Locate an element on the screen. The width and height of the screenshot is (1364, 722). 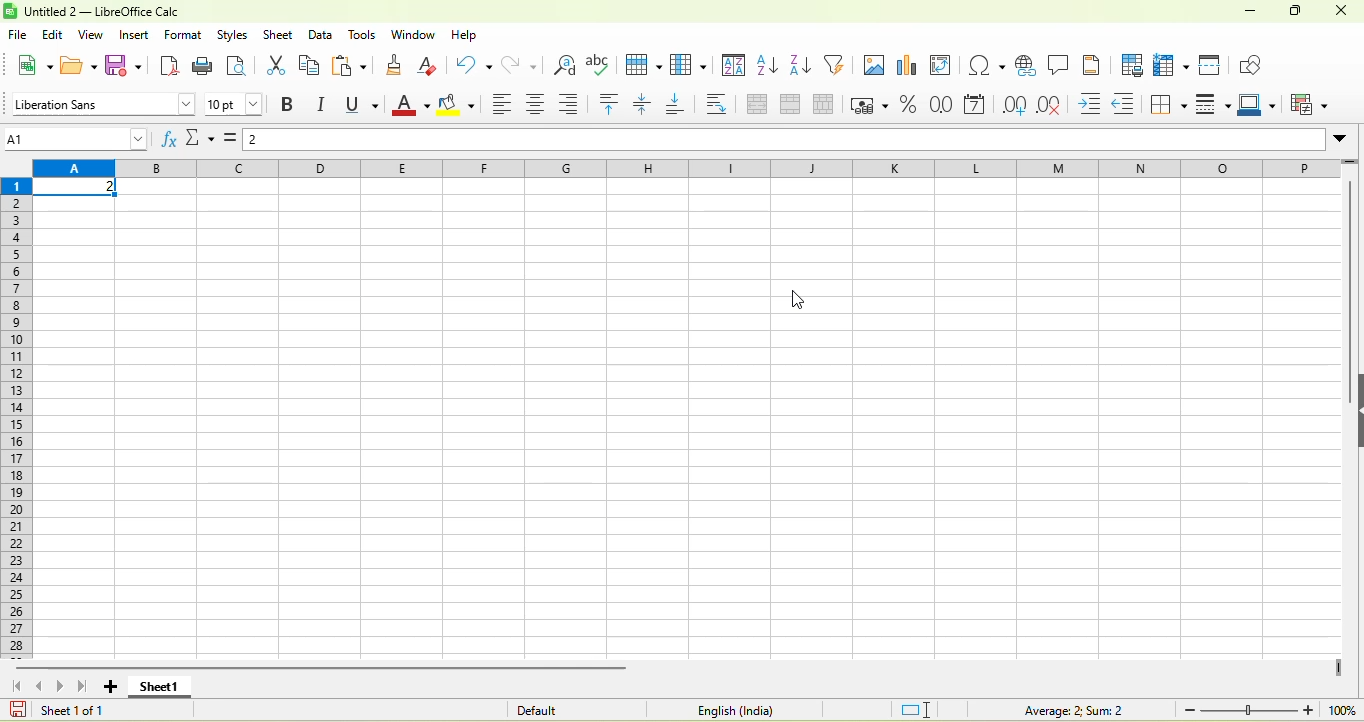
split is located at coordinates (829, 105).